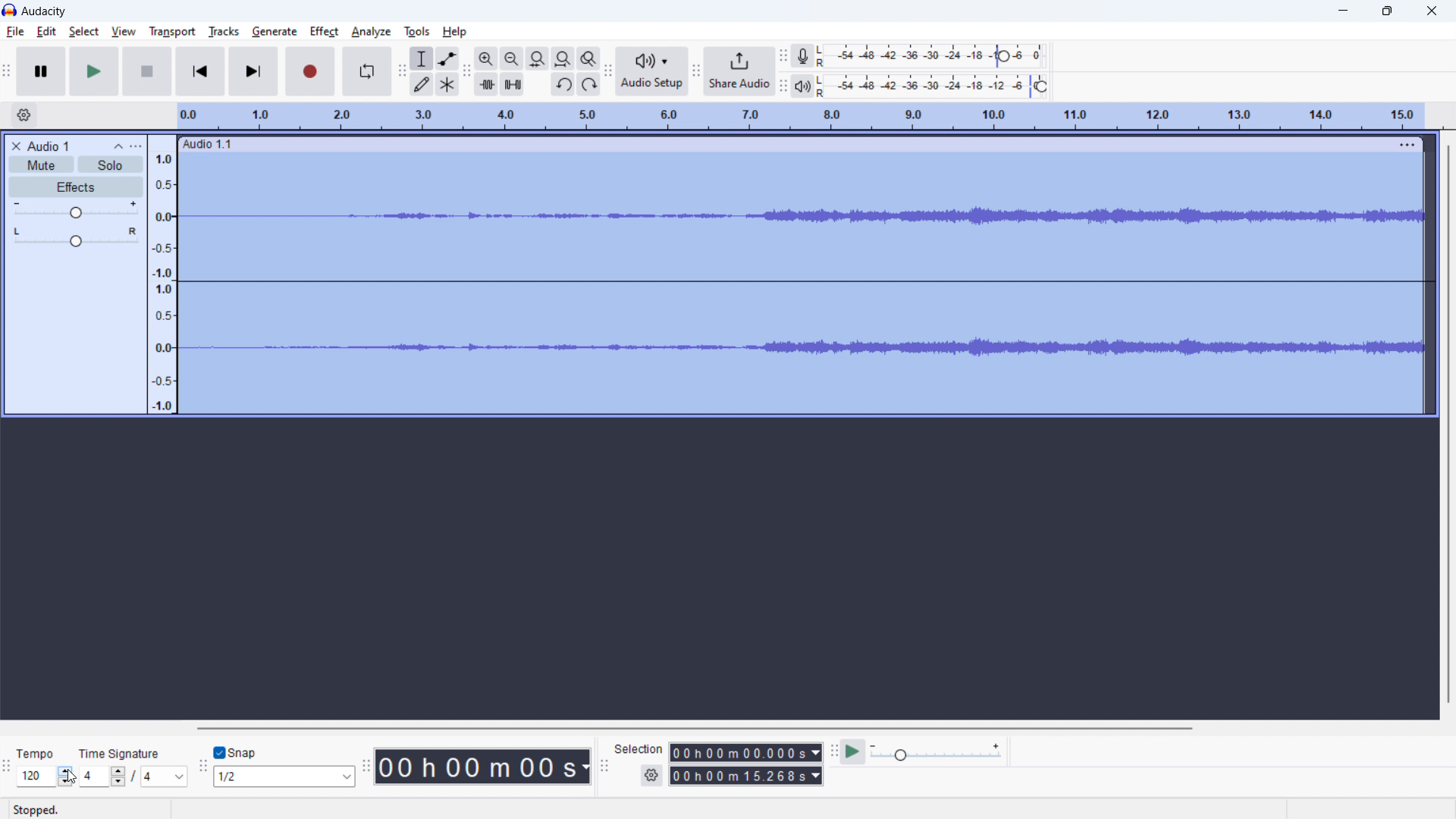  Describe the element at coordinates (44, 775) in the screenshot. I see `select tempo` at that location.